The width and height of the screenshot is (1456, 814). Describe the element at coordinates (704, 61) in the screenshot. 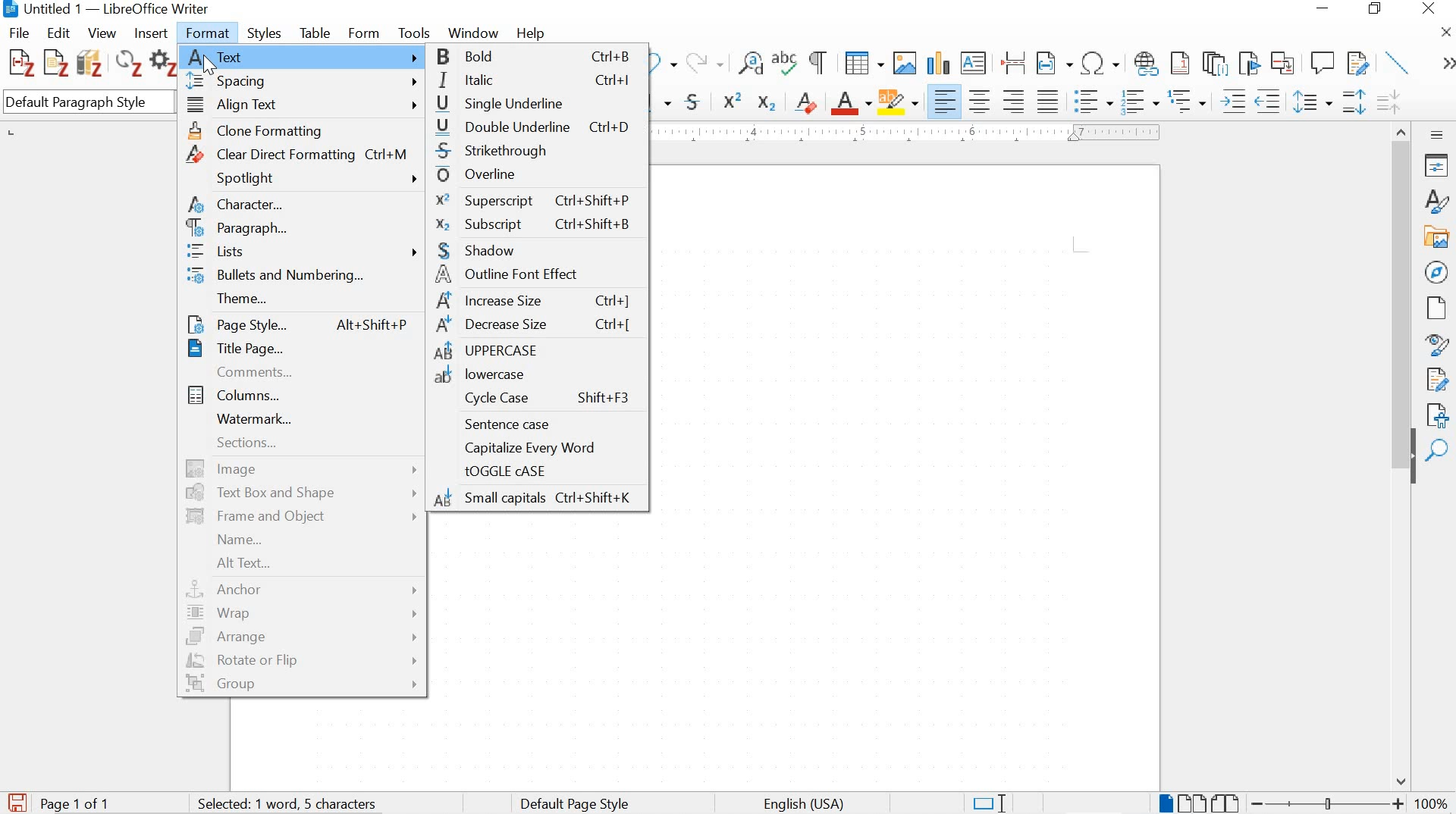

I see `redo` at that location.